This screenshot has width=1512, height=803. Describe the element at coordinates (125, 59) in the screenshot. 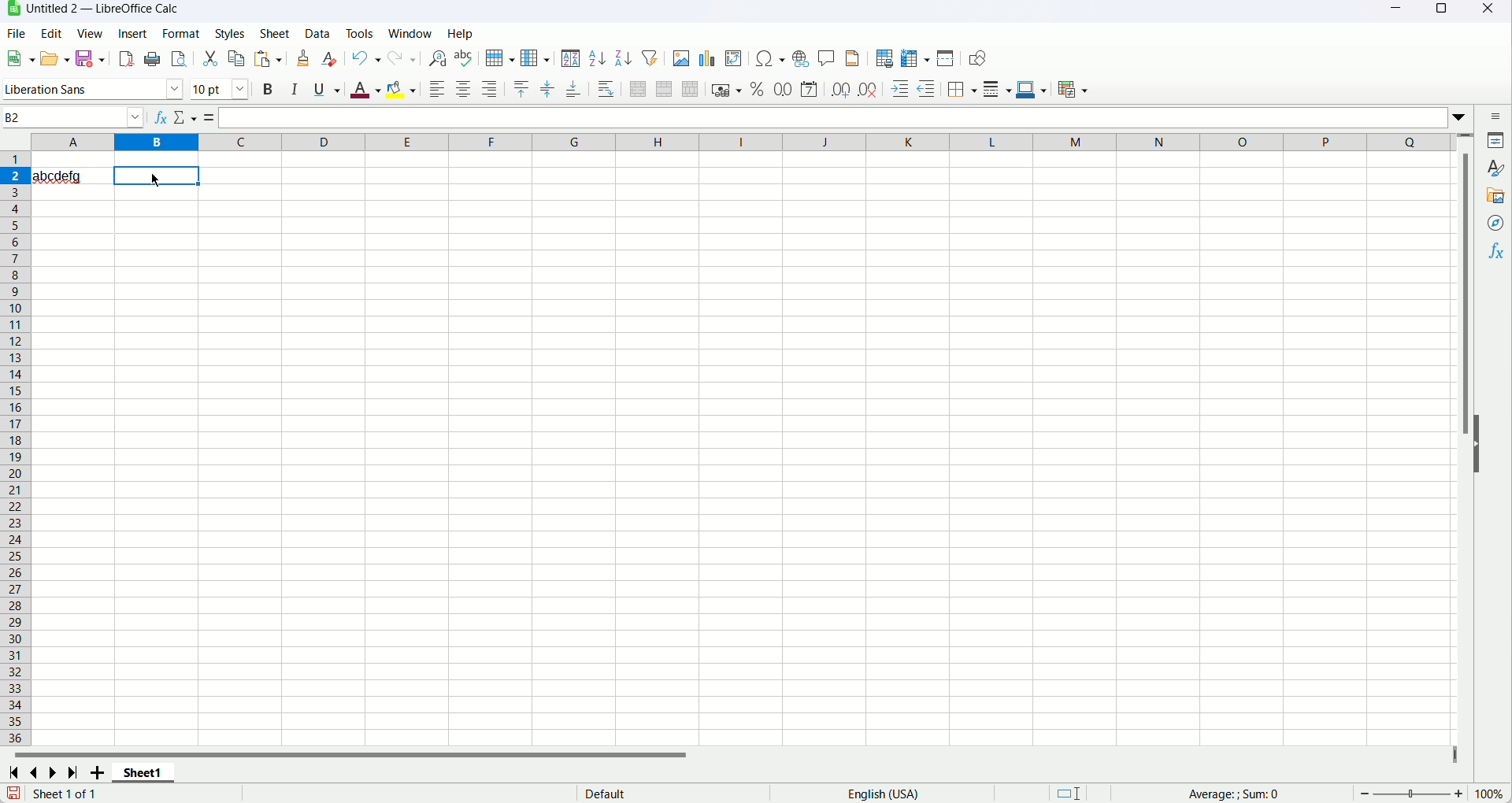

I see `export directly as PDF` at that location.